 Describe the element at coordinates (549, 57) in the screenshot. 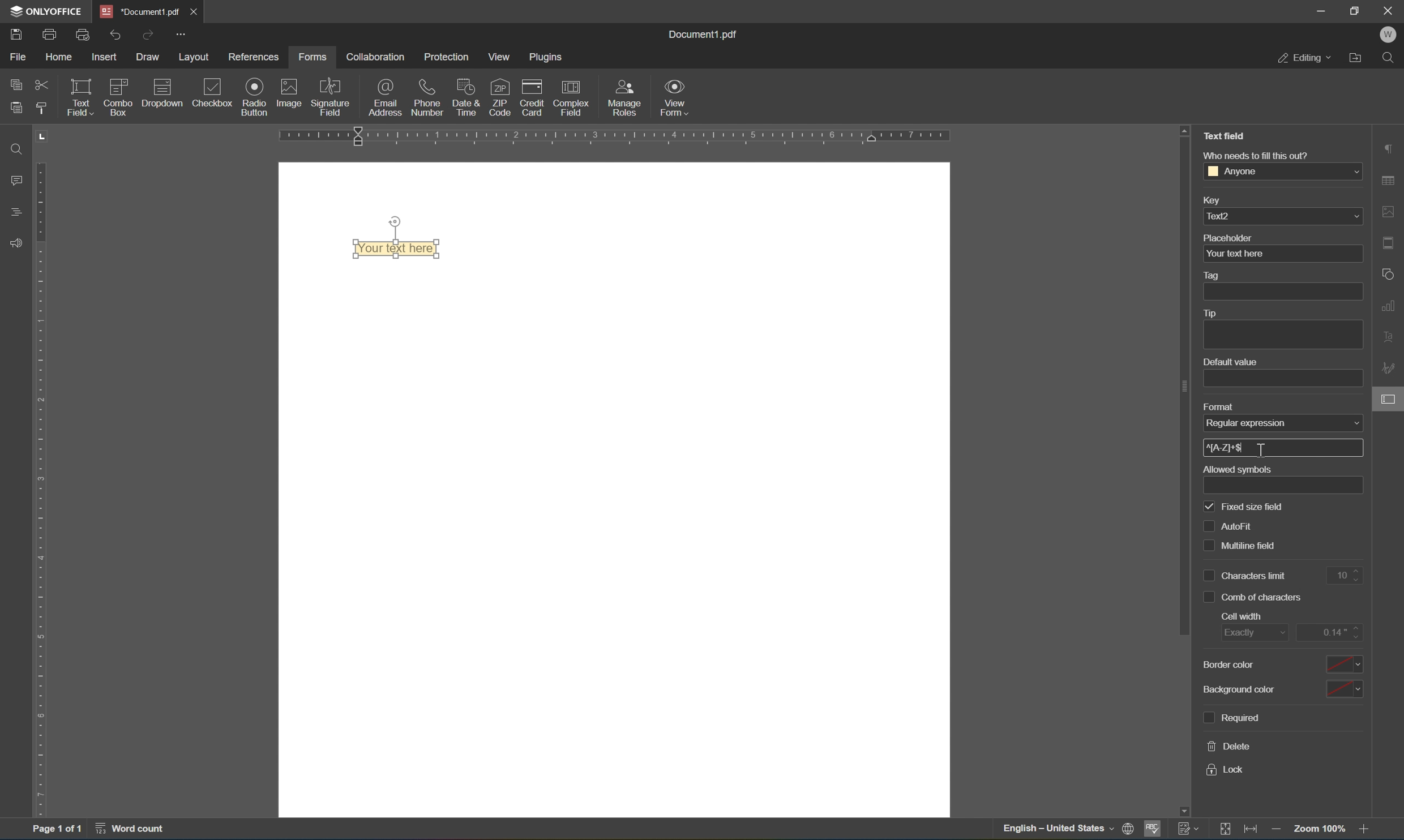

I see `plugins` at that location.